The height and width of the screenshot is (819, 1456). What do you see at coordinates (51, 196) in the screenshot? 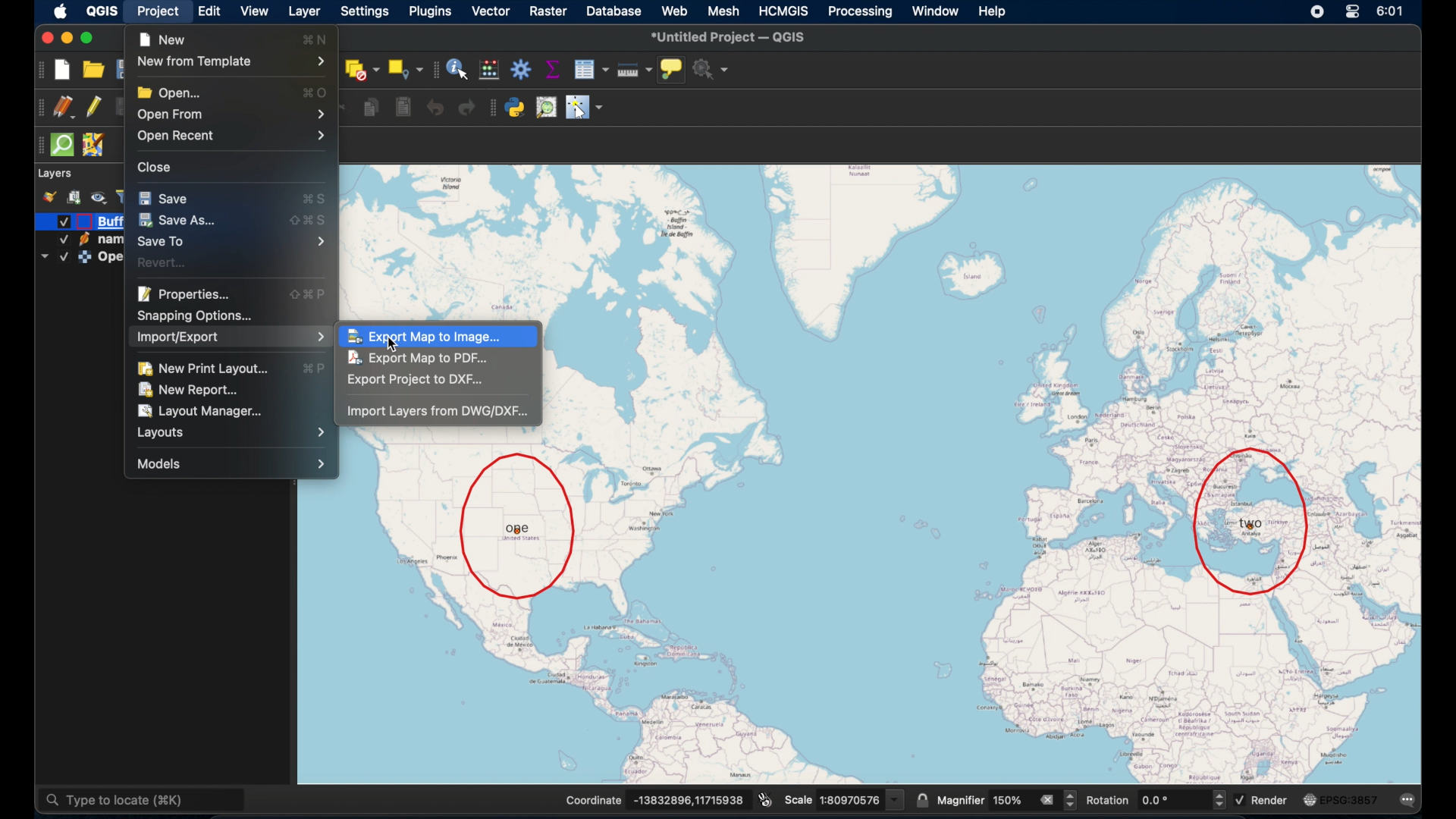
I see `style manager` at bounding box center [51, 196].